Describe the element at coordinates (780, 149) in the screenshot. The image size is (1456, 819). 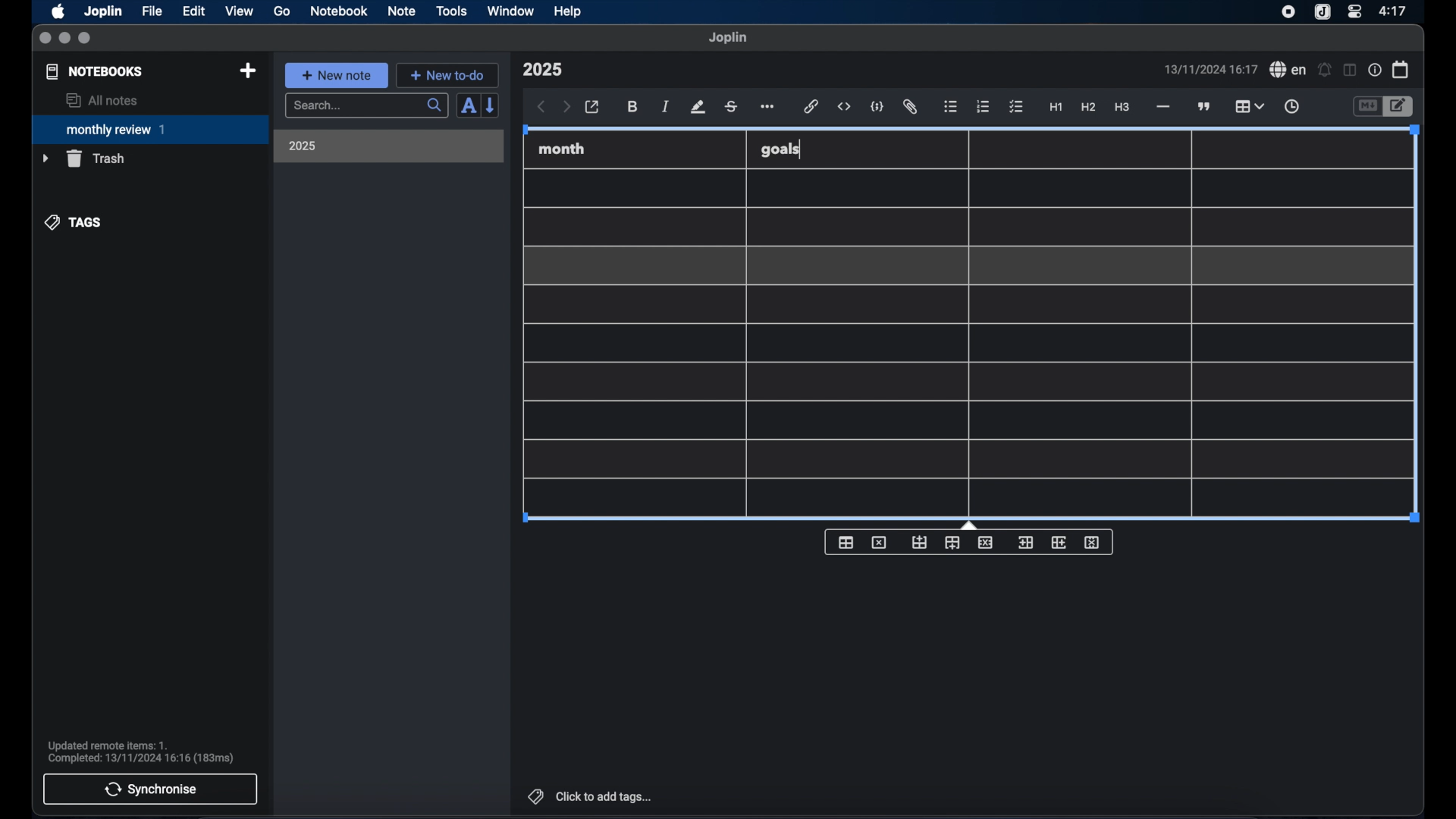
I see `goals` at that location.